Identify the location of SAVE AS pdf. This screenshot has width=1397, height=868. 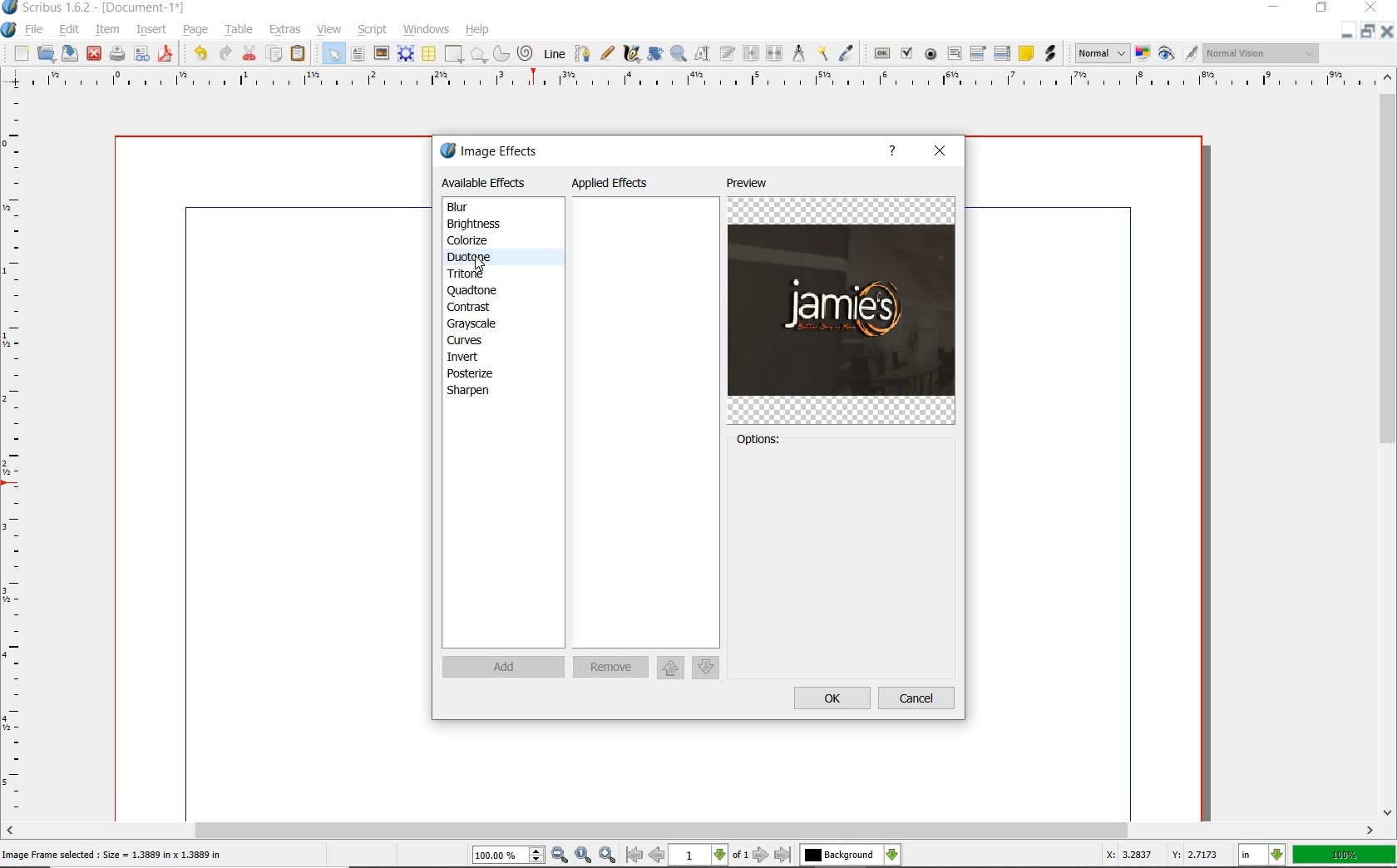
(167, 54).